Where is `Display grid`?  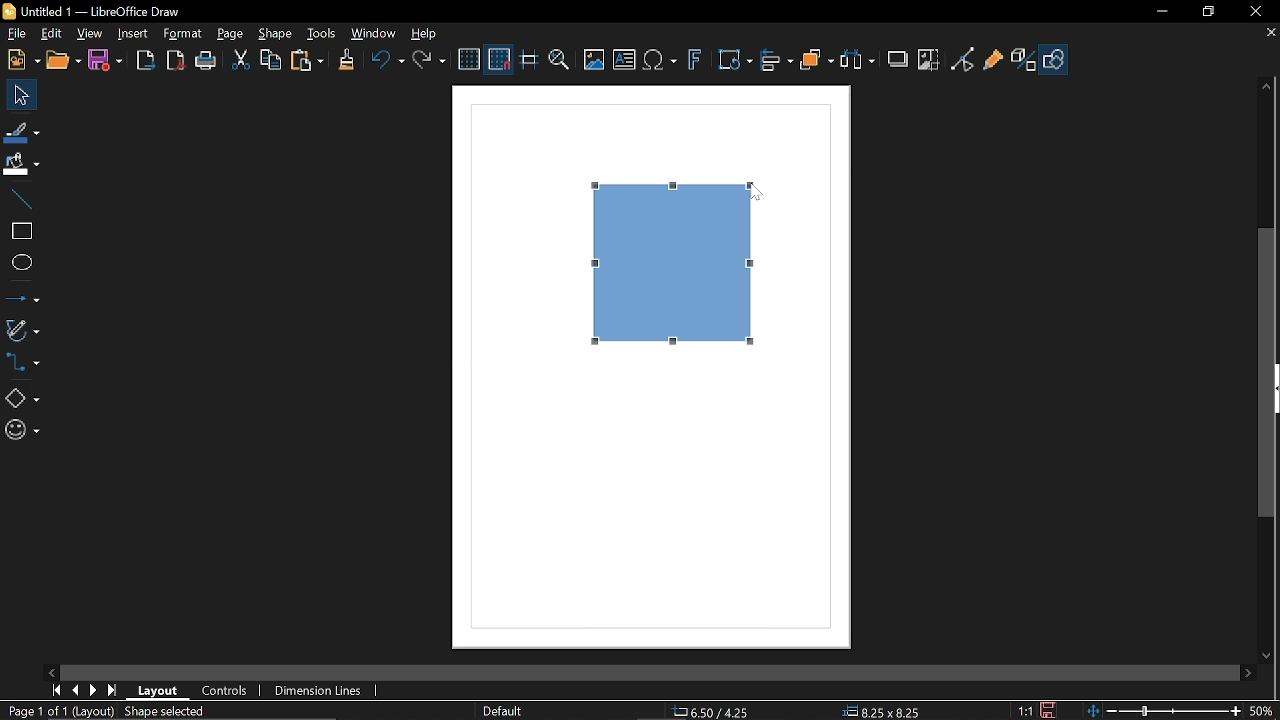
Display grid is located at coordinates (470, 60).